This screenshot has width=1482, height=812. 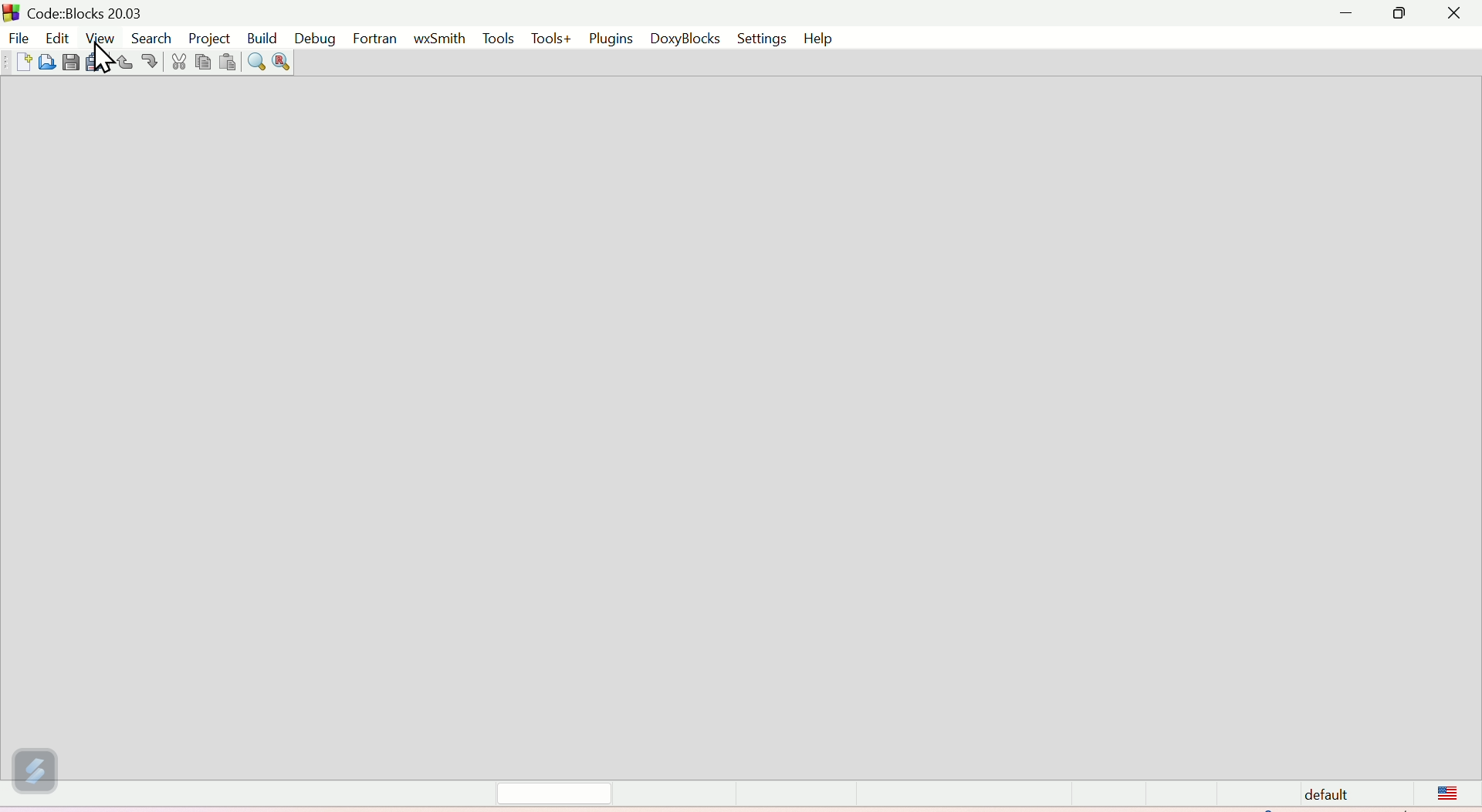 I want to click on , so click(x=92, y=59).